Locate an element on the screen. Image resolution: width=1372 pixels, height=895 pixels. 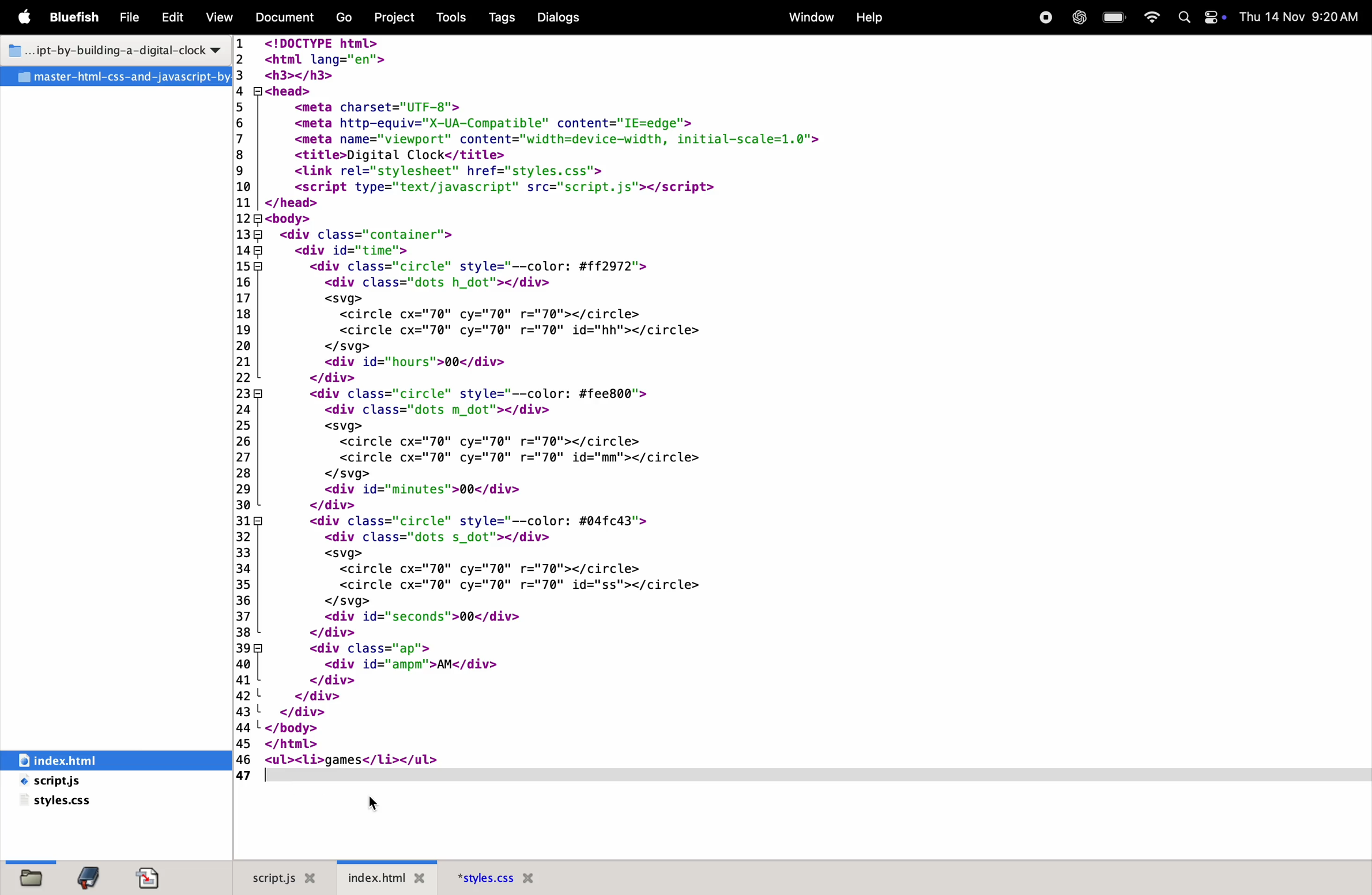
Documents is located at coordinates (287, 18).